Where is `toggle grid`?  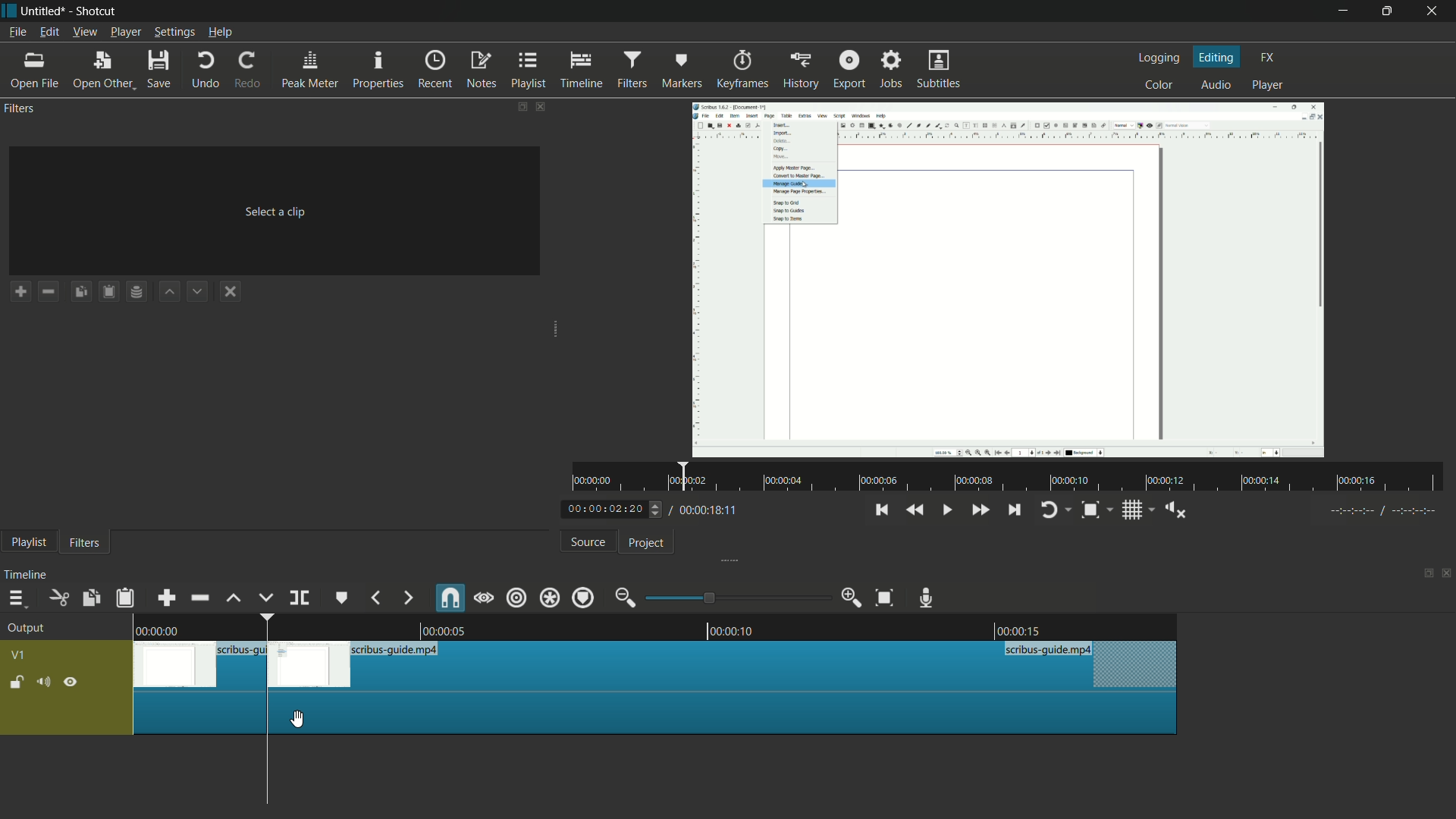
toggle grid is located at coordinates (1134, 510).